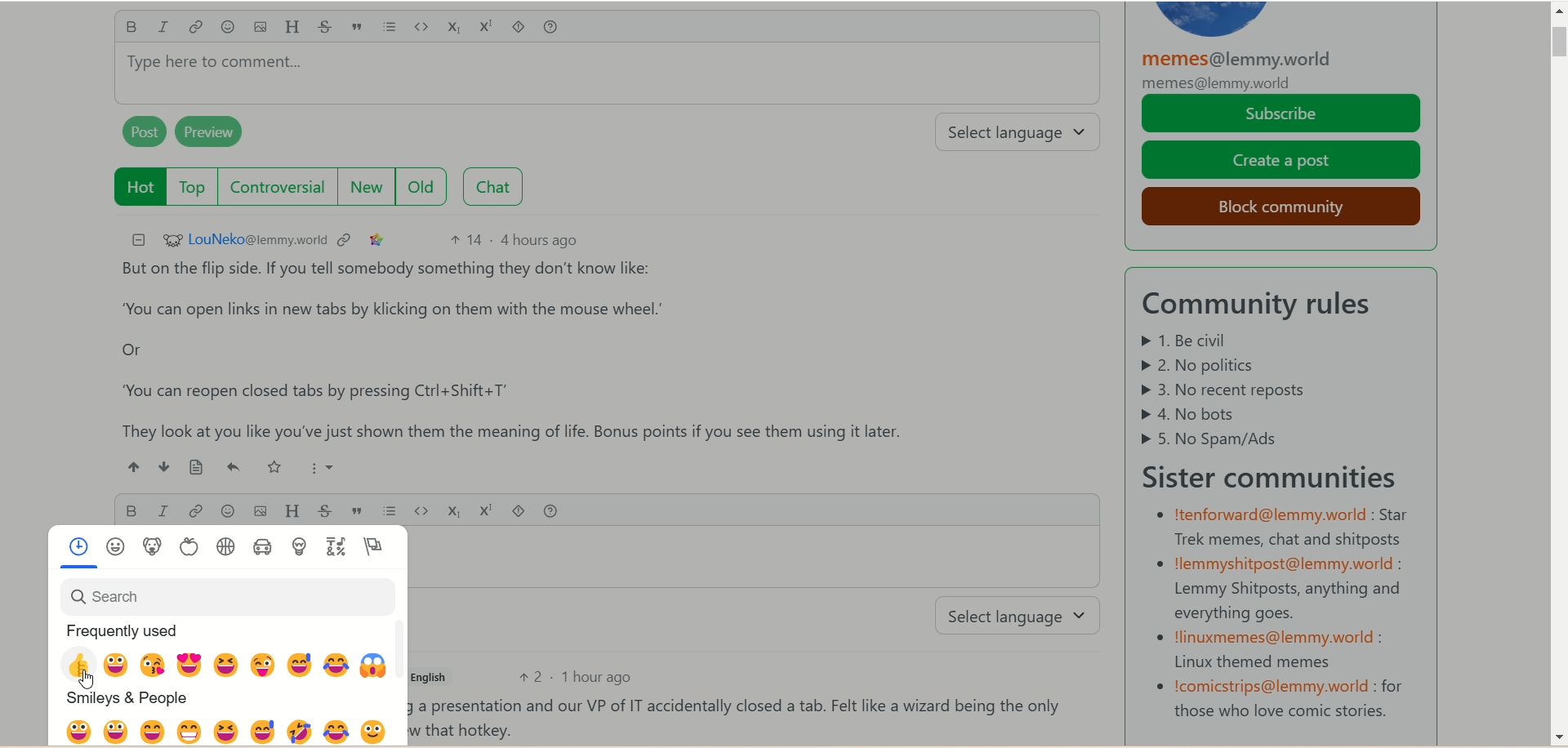 The image size is (1568, 748). Describe the element at coordinates (1557, 737) in the screenshot. I see `Scroll bar down` at that location.